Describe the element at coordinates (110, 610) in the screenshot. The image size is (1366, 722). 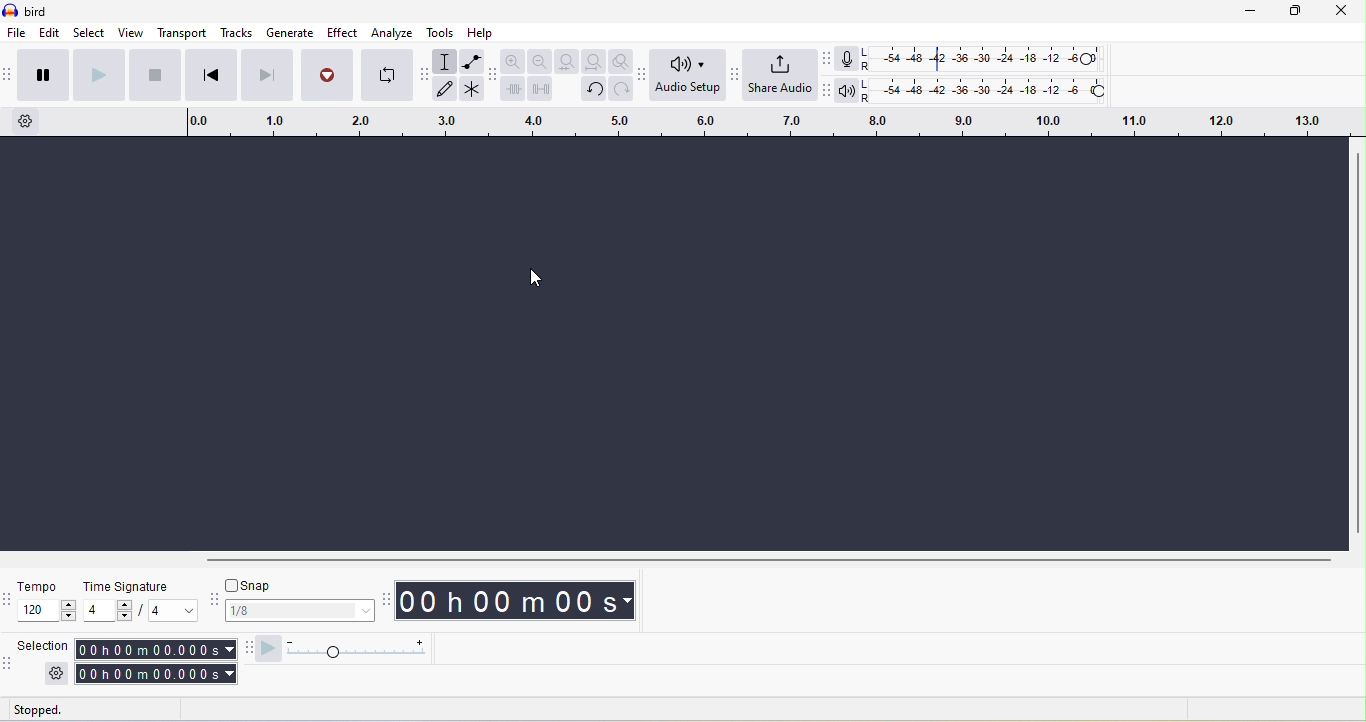
I see `value` at that location.